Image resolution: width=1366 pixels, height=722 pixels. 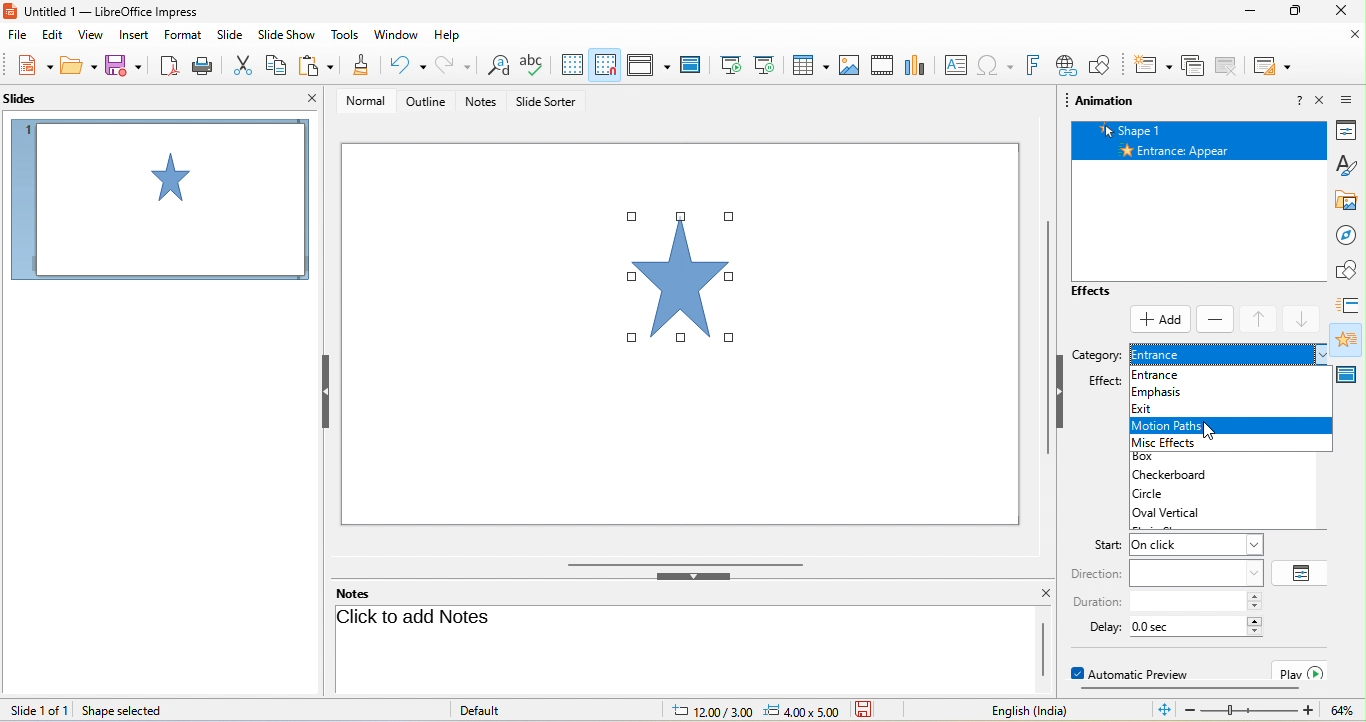 What do you see at coordinates (1097, 357) in the screenshot?
I see `category` at bounding box center [1097, 357].